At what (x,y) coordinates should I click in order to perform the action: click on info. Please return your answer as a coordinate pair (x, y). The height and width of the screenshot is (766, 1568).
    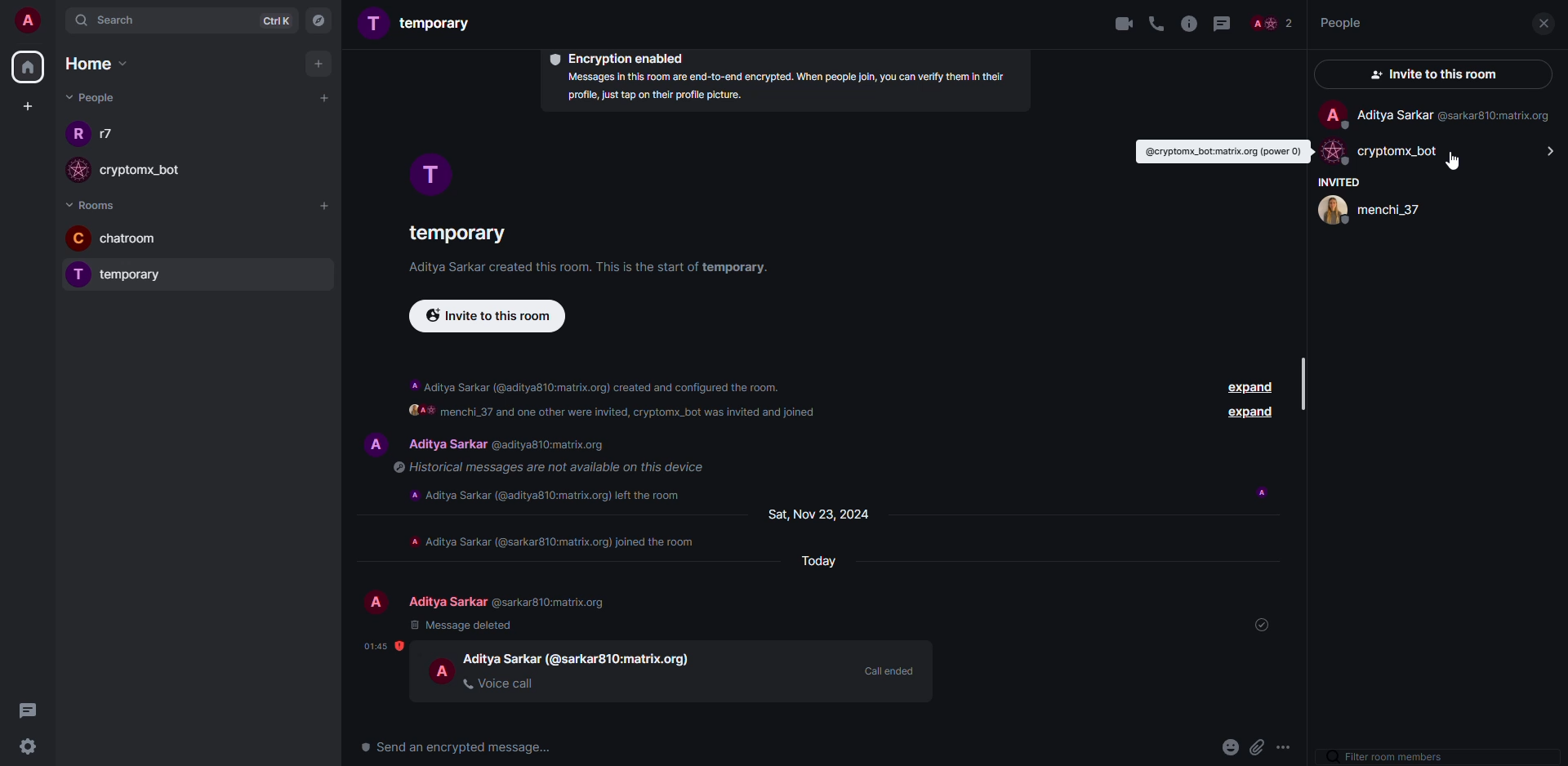
    Looking at the image, I should click on (1189, 24).